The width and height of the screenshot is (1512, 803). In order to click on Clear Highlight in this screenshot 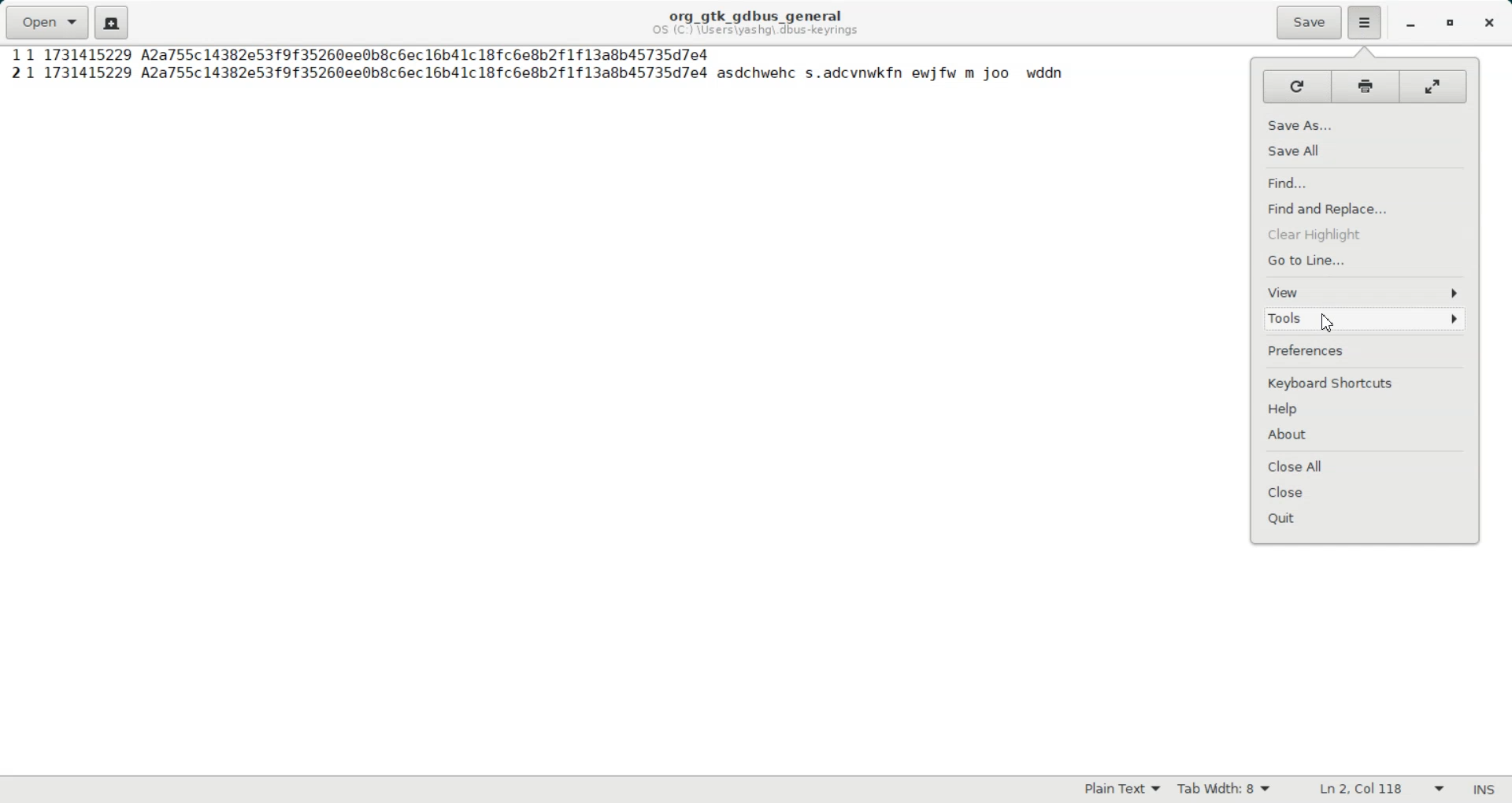, I will do `click(1364, 234)`.